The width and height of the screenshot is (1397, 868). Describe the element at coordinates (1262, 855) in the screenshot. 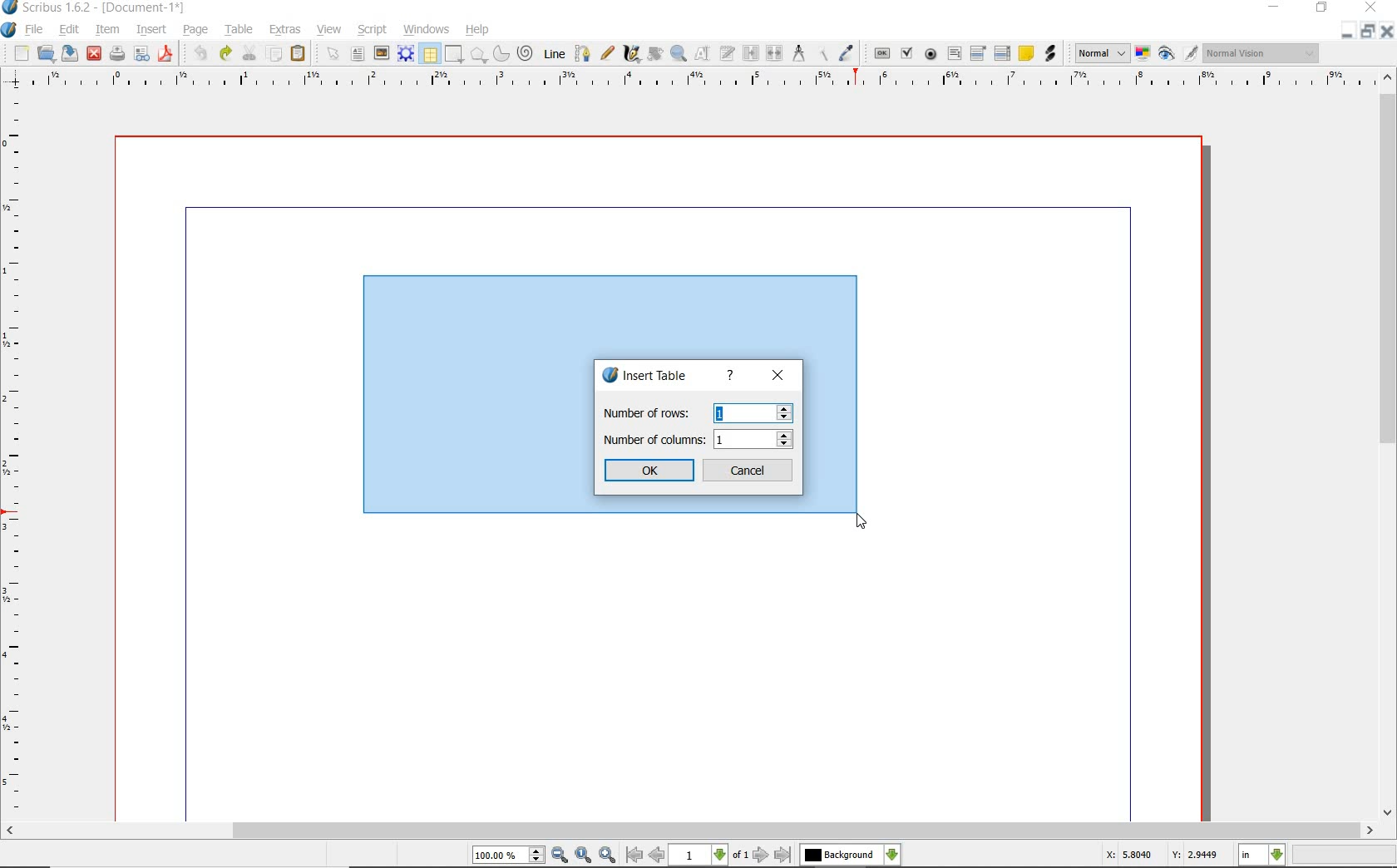

I see `select measurement` at that location.